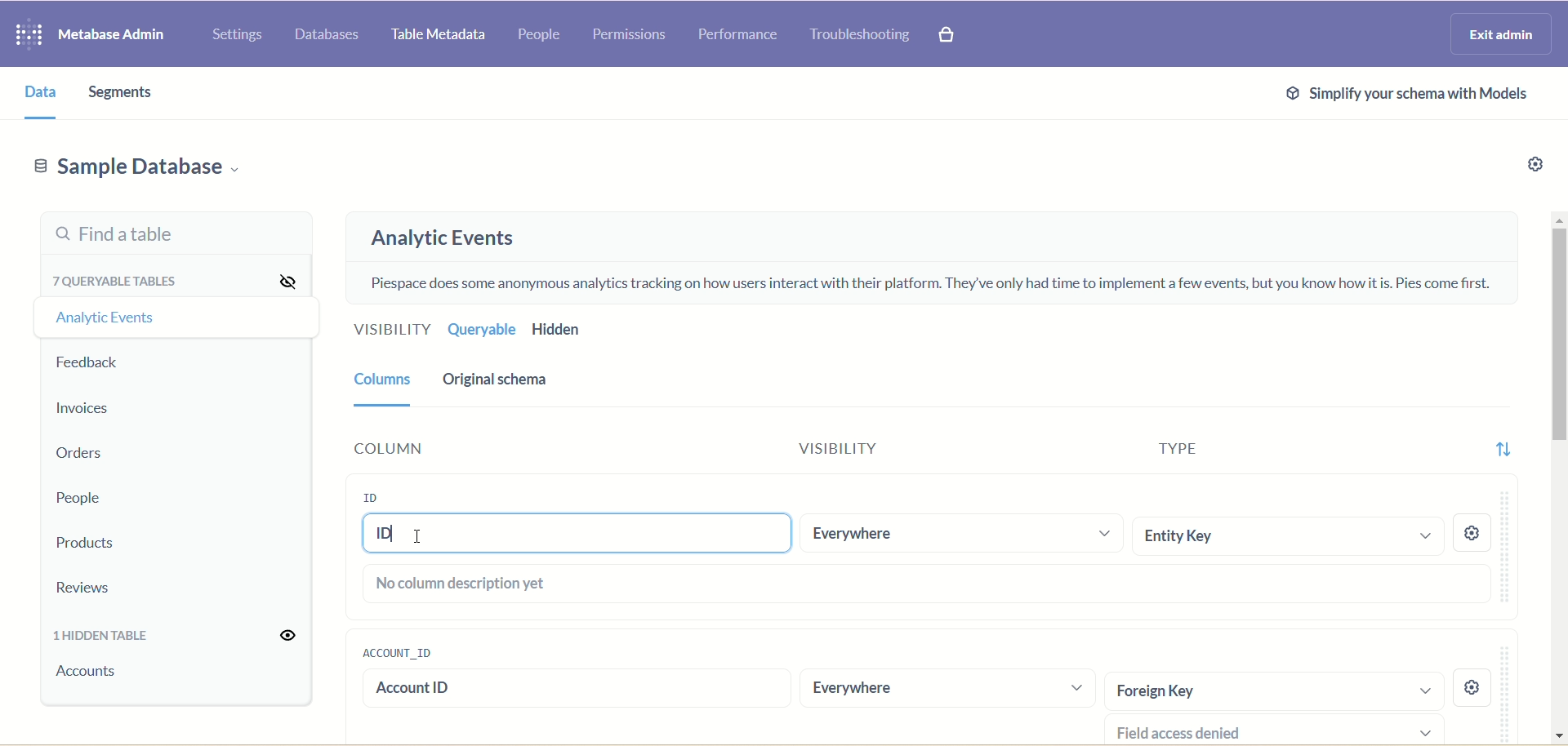 This screenshot has height=746, width=1568. What do you see at coordinates (106, 584) in the screenshot?
I see `Reviews` at bounding box center [106, 584].